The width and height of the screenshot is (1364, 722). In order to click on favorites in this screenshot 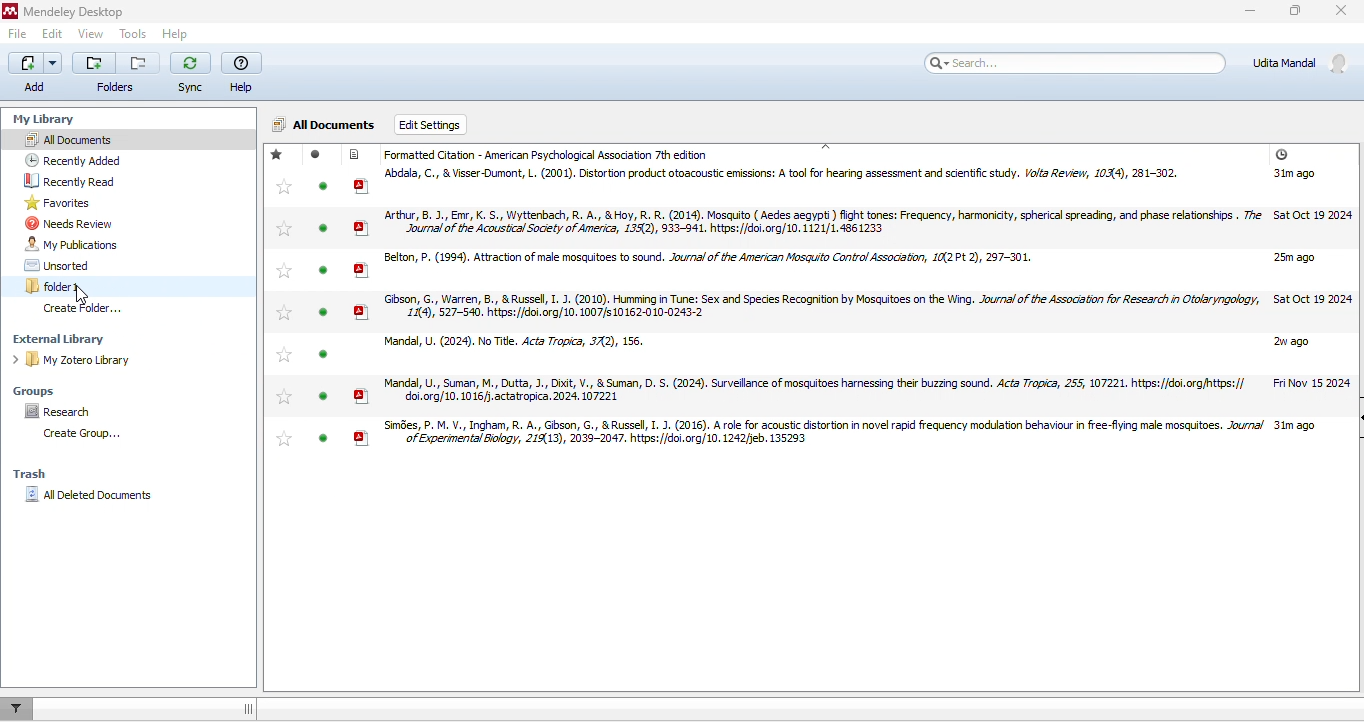, I will do `click(57, 203)`.